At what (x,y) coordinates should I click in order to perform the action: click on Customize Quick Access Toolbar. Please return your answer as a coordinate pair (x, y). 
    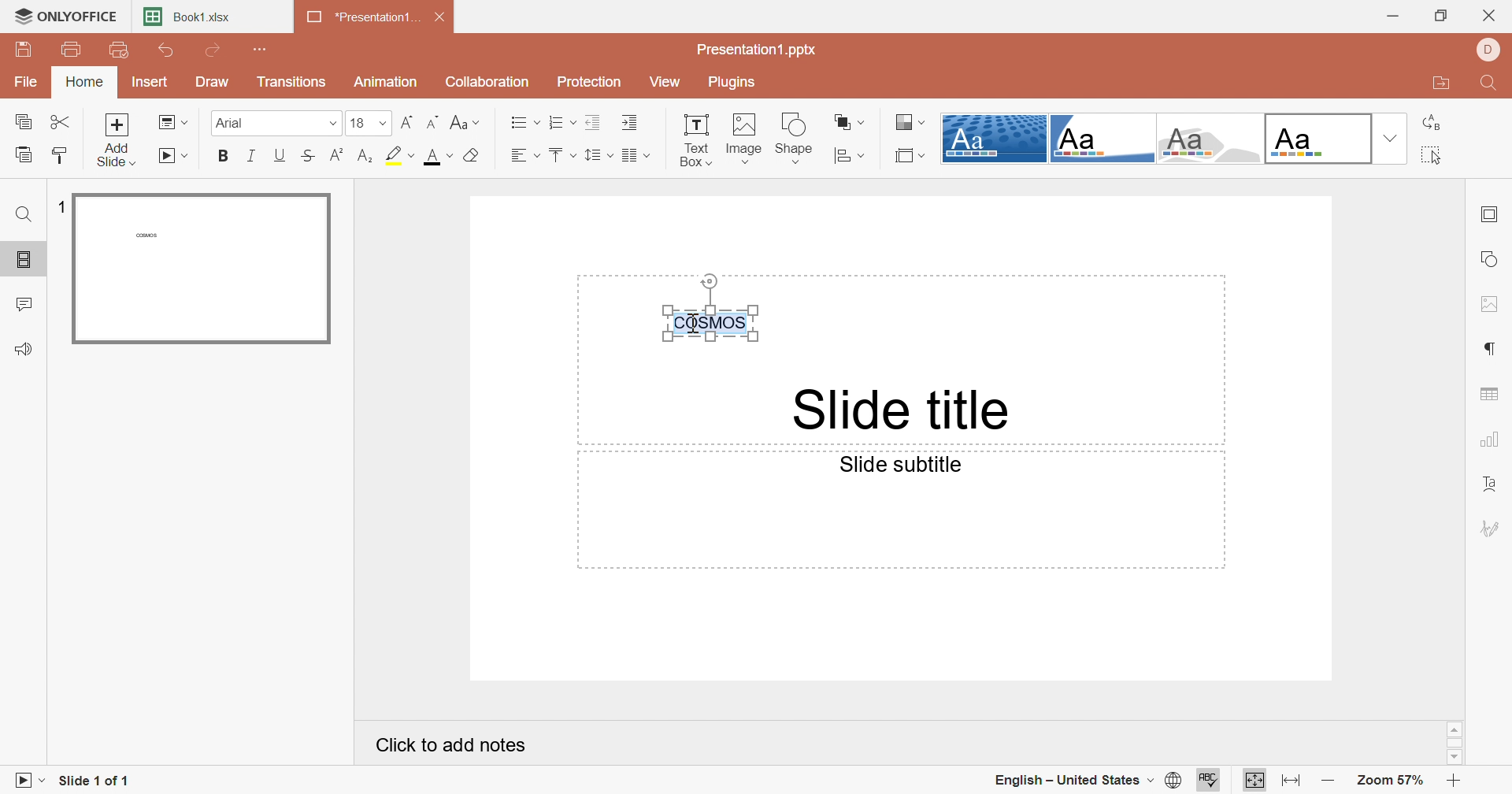
    Looking at the image, I should click on (259, 50).